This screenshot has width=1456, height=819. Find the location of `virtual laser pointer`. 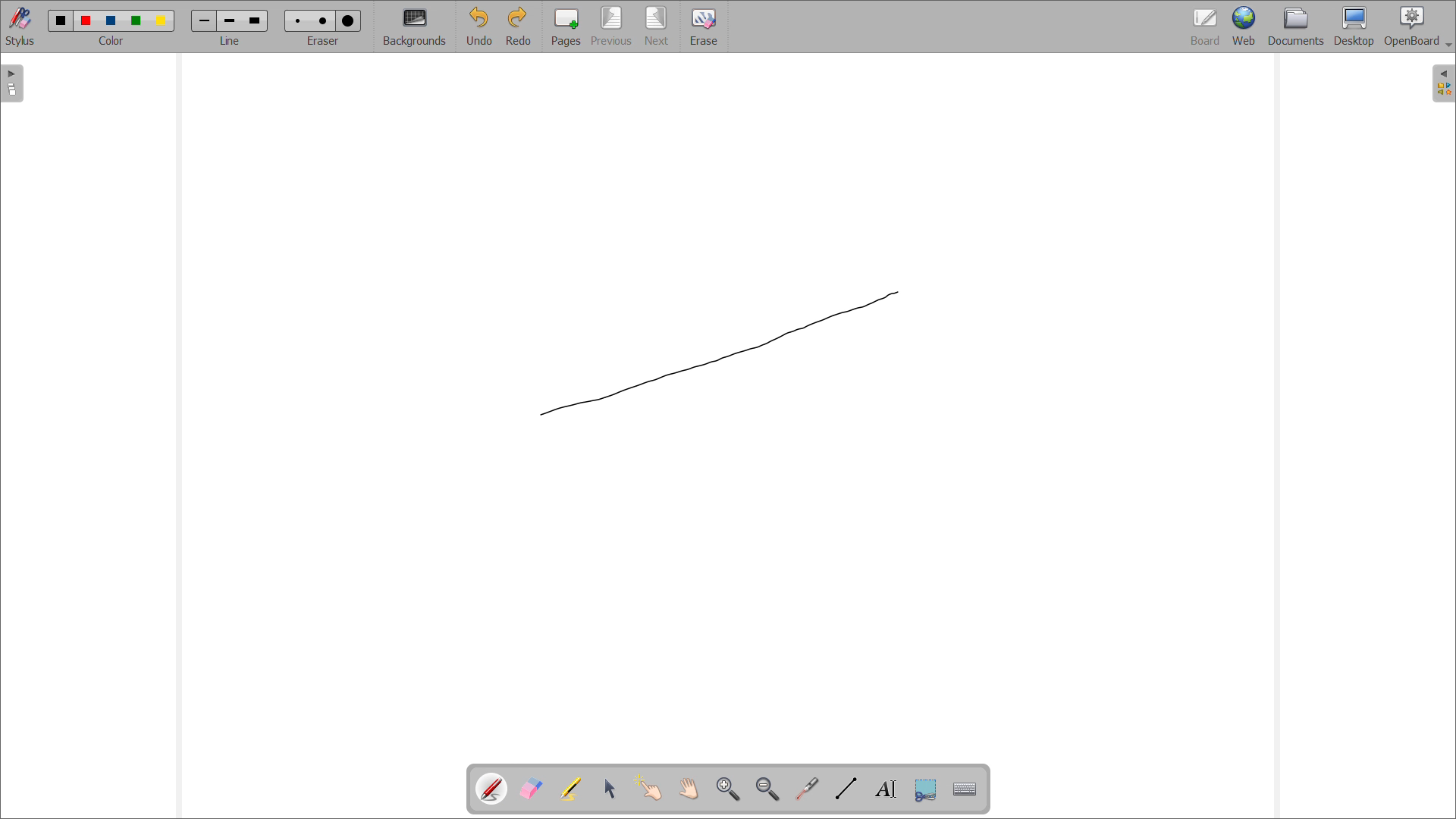

virtual laser pointer is located at coordinates (808, 787).